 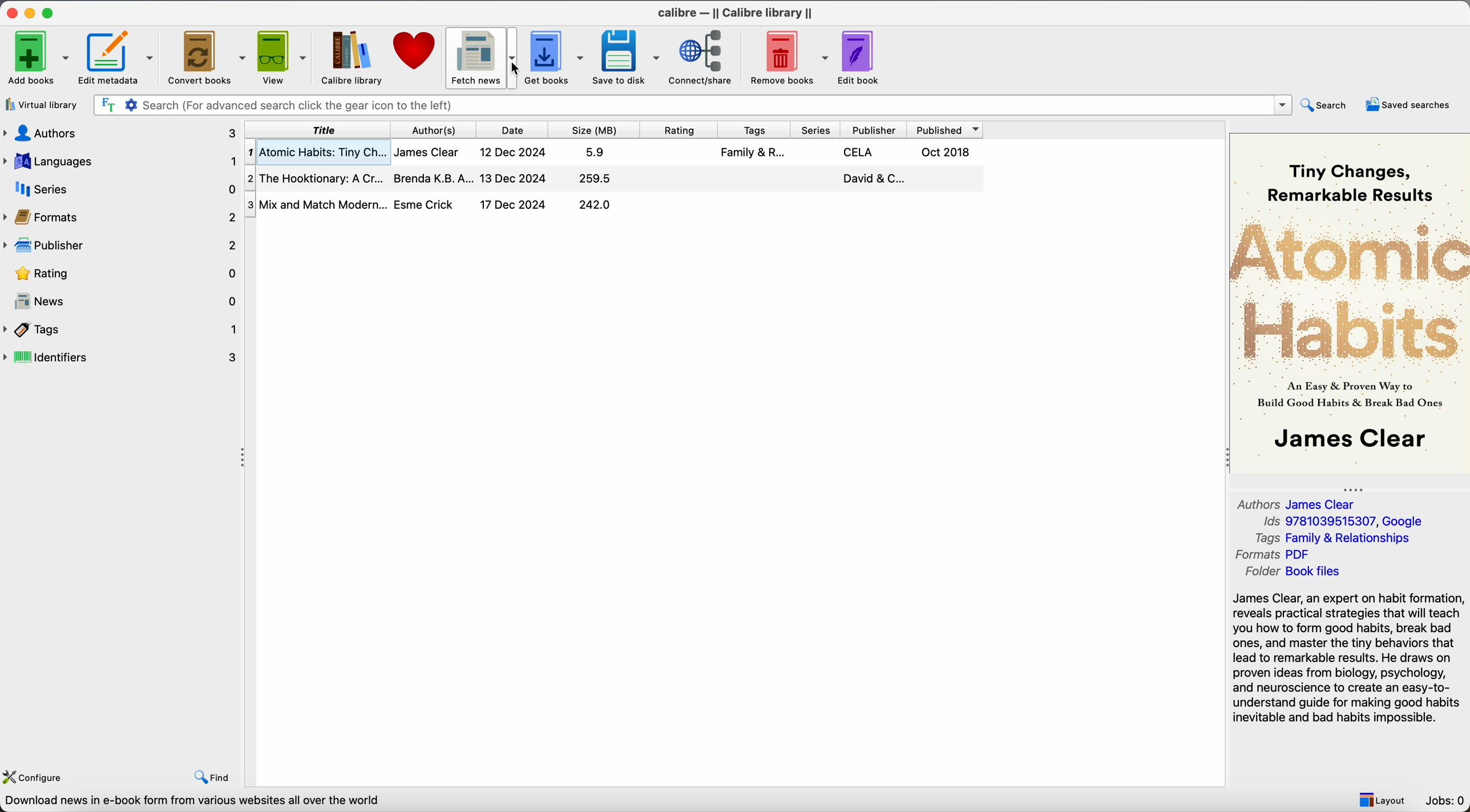 I want to click on save to disk, so click(x=627, y=57).